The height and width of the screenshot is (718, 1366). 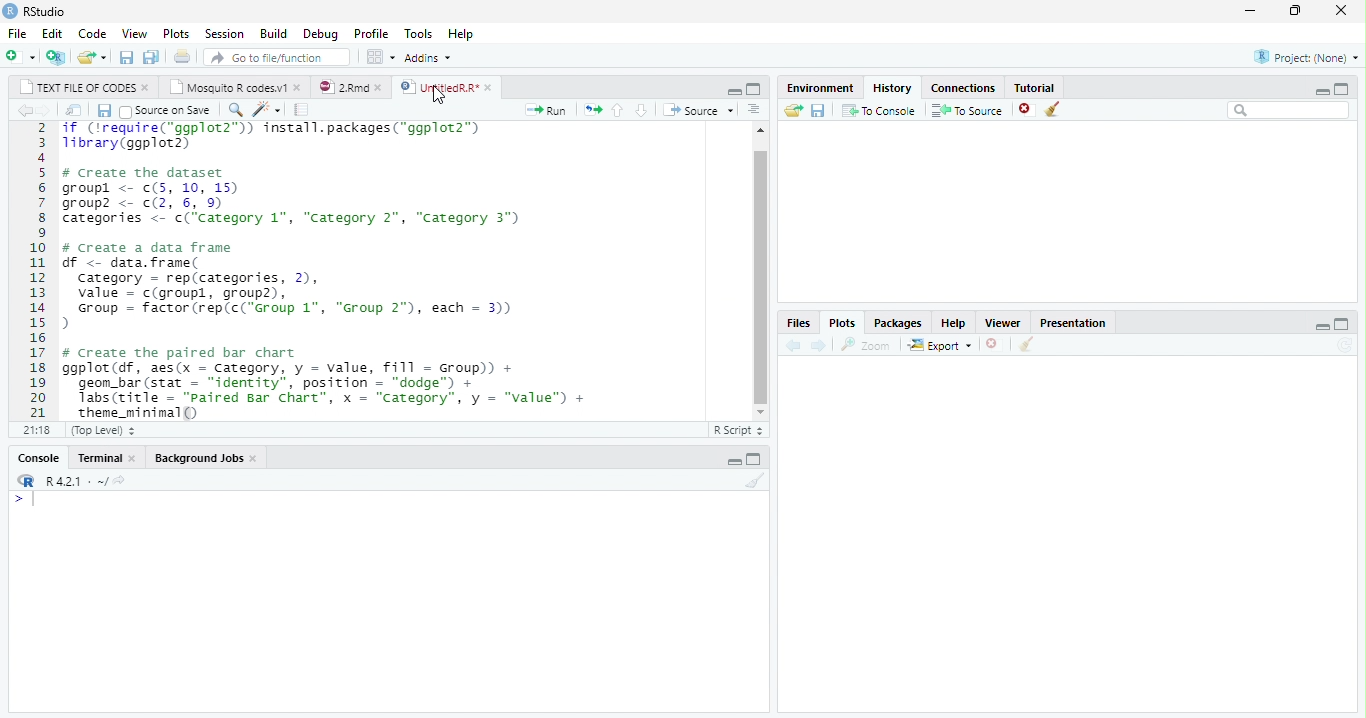 What do you see at coordinates (380, 88) in the screenshot?
I see `close` at bounding box center [380, 88].